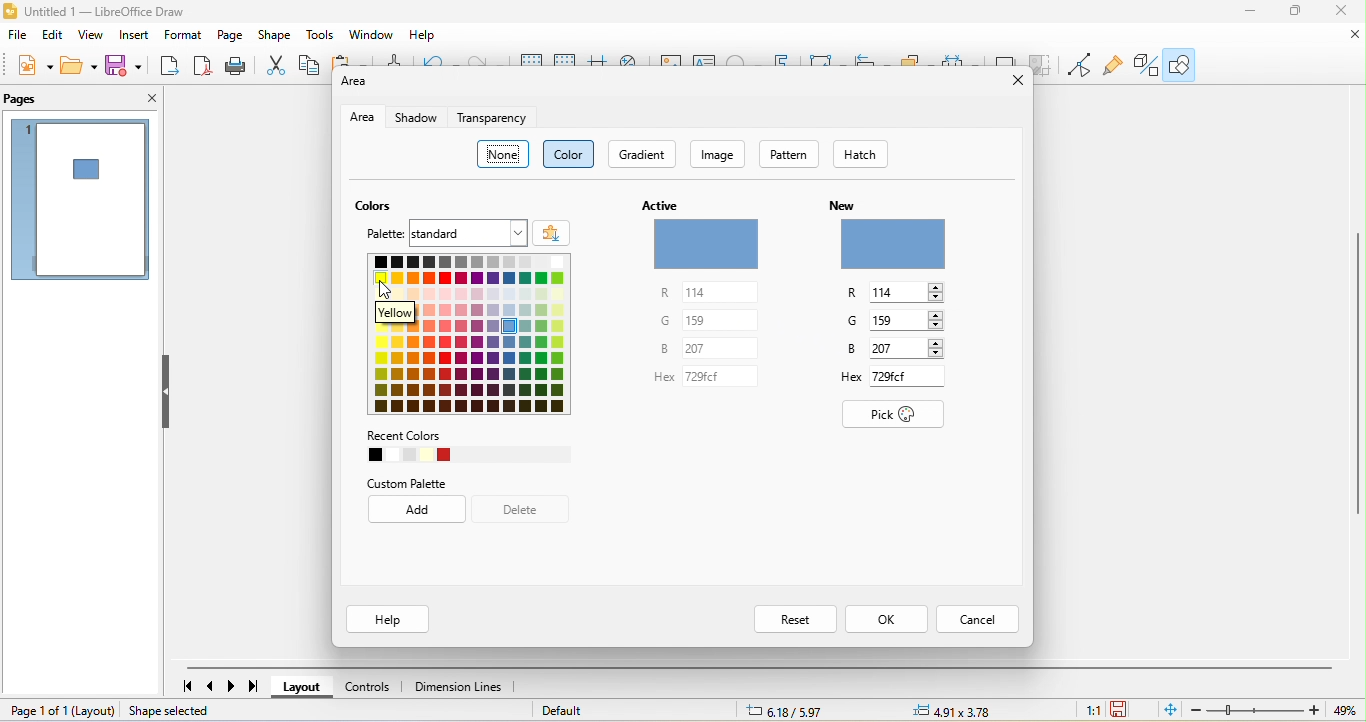  What do you see at coordinates (48, 100) in the screenshot?
I see `pages` at bounding box center [48, 100].